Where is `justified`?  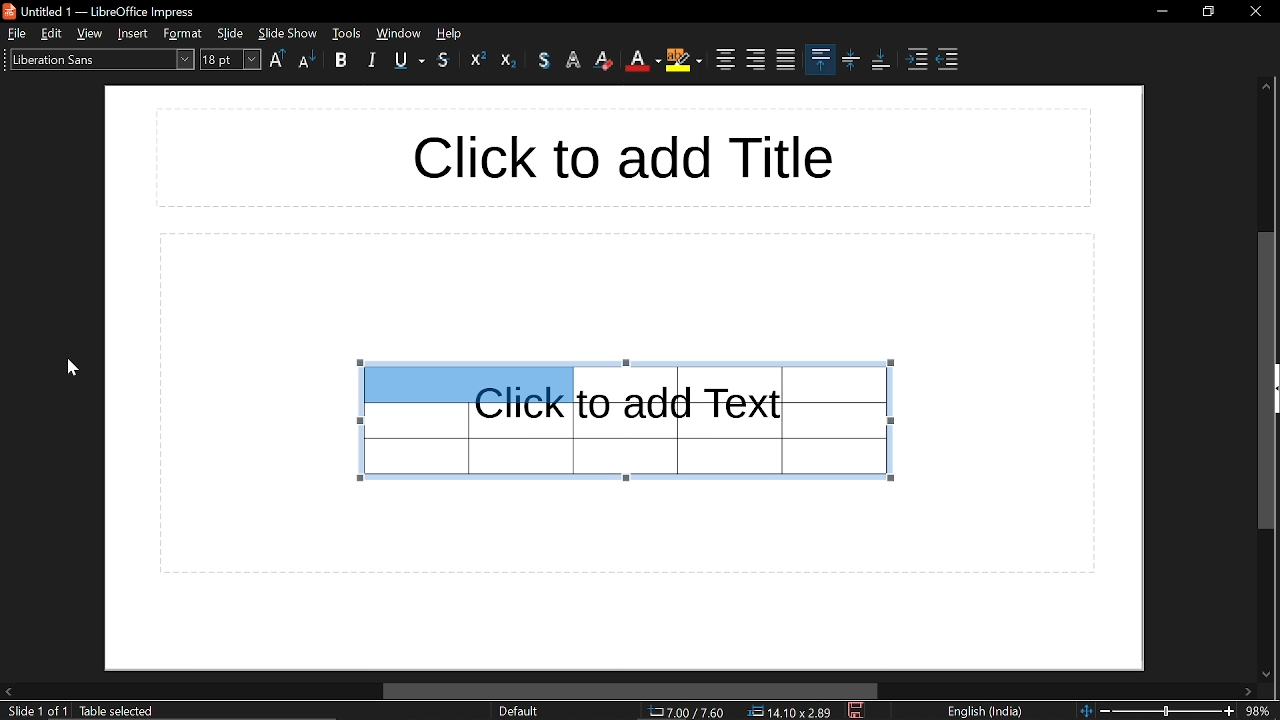
justified is located at coordinates (786, 60).